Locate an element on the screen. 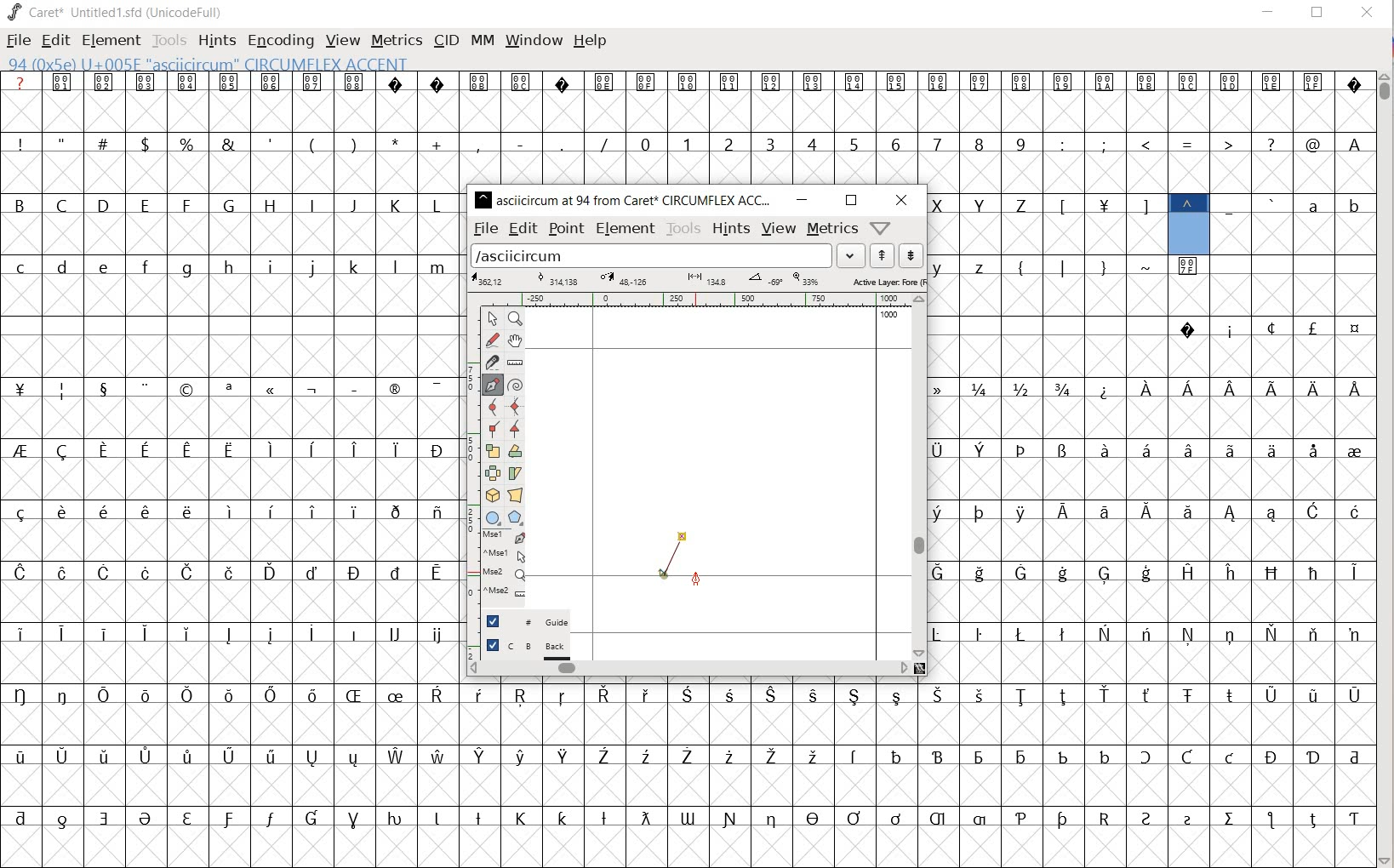 The width and height of the screenshot is (1394, 868). flip the selection is located at coordinates (492, 473).